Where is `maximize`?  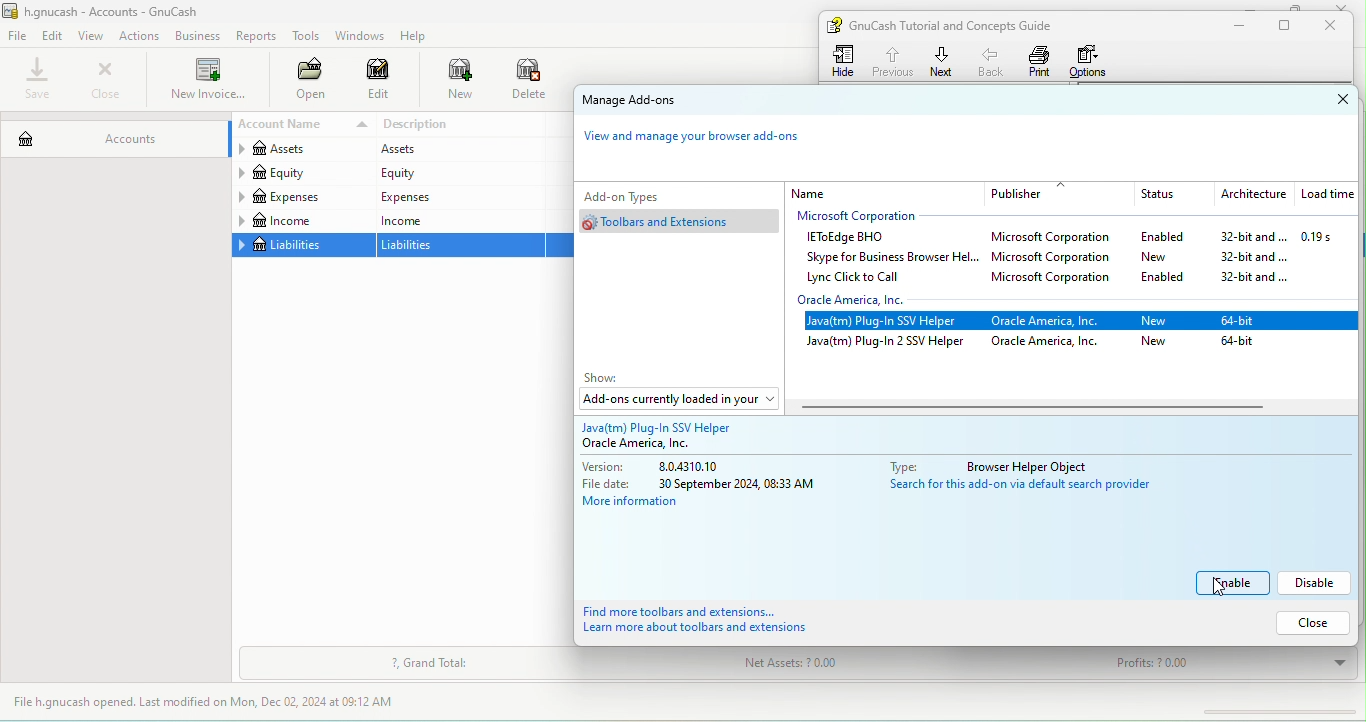
maximize is located at coordinates (1292, 7).